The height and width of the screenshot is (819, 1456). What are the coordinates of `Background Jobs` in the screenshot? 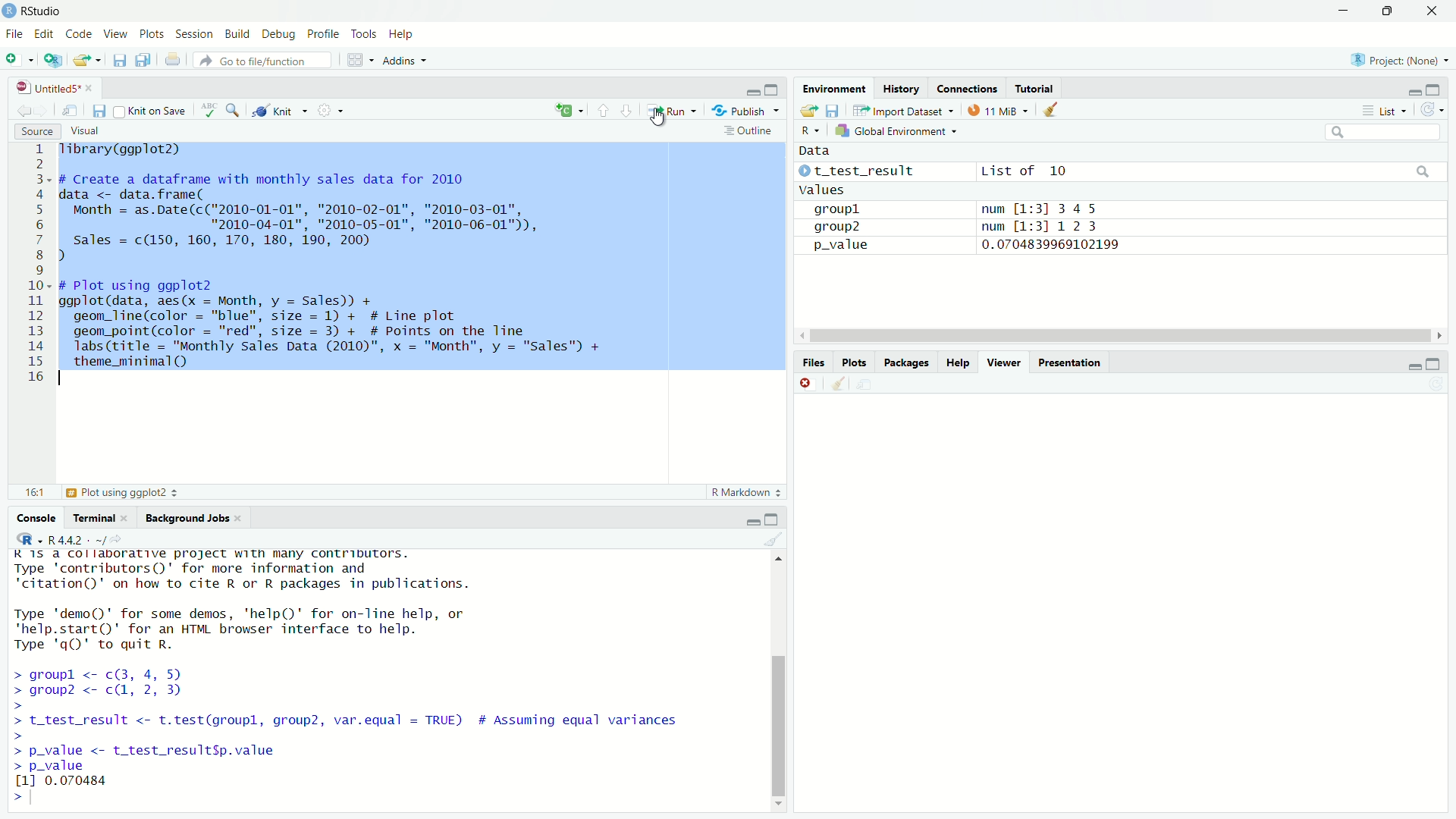 It's located at (195, 518).